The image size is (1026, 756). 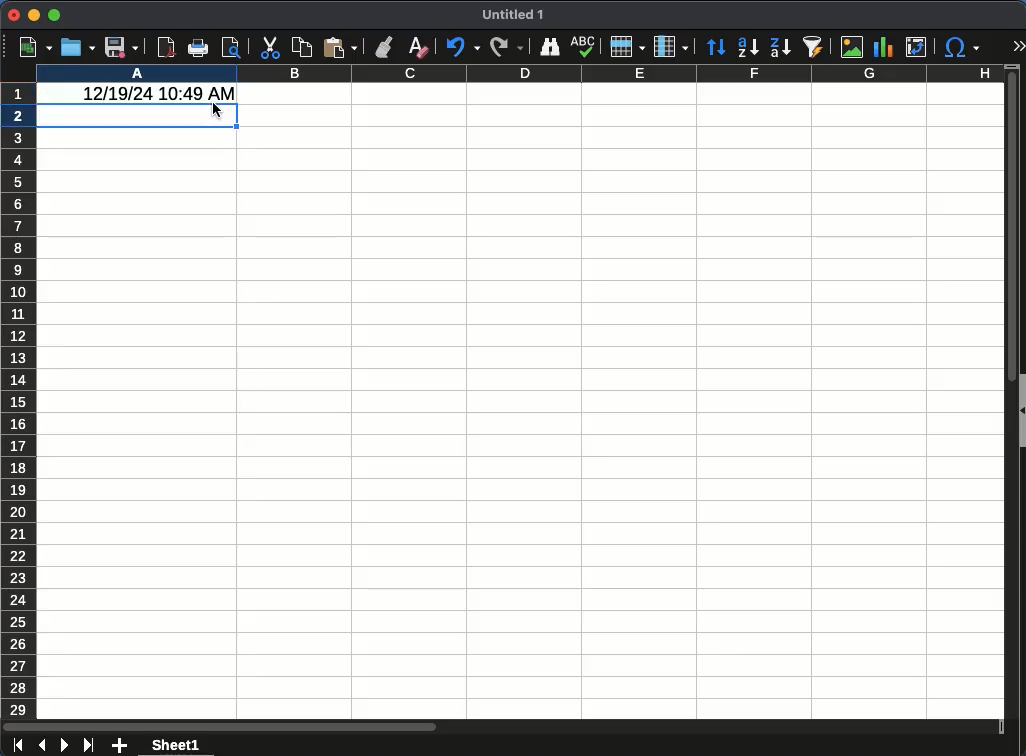 What do you see at coordinates (964, 49) in the screenshot?
I see `special character` at bounding box center [964, 49].